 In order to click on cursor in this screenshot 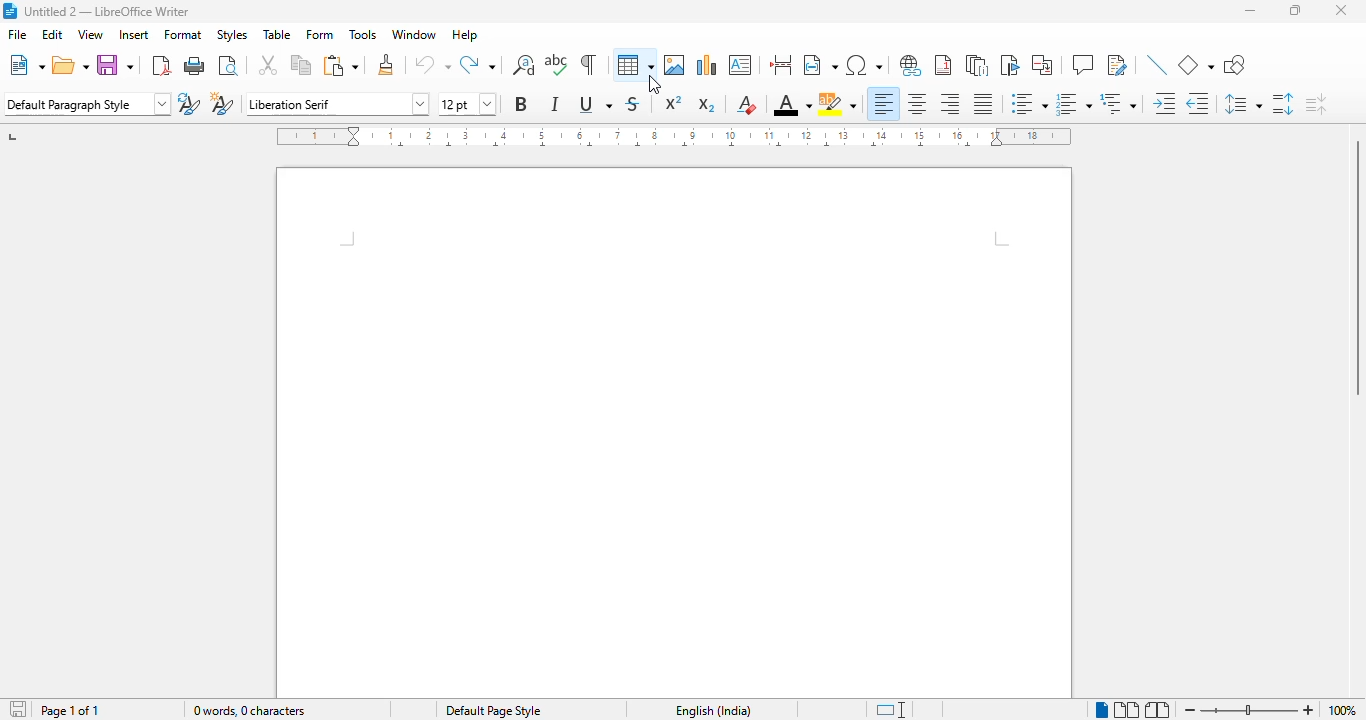, I will do `click(656, 84)`.